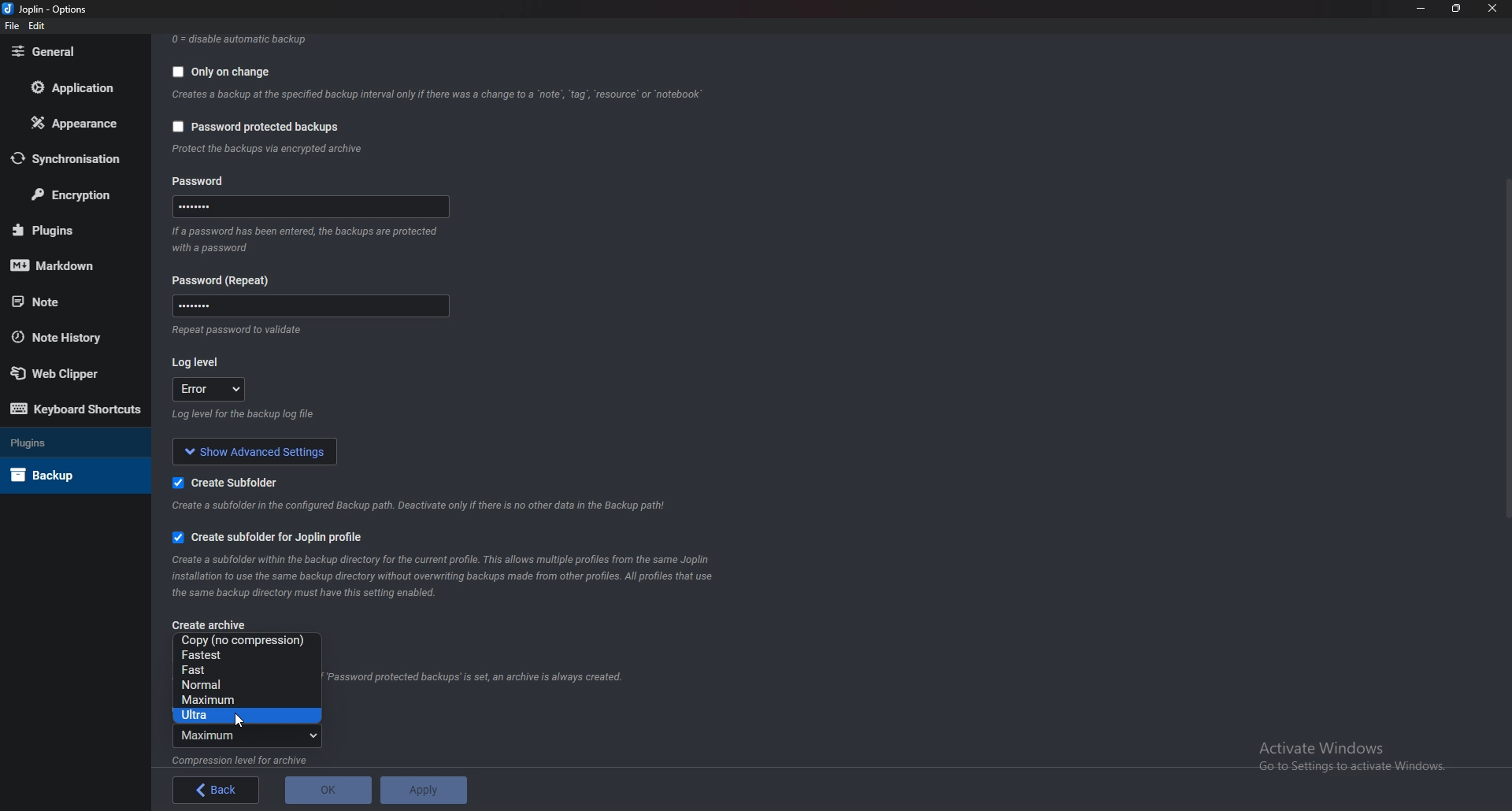  I want to click on Web Clipper, so click(73, 373).